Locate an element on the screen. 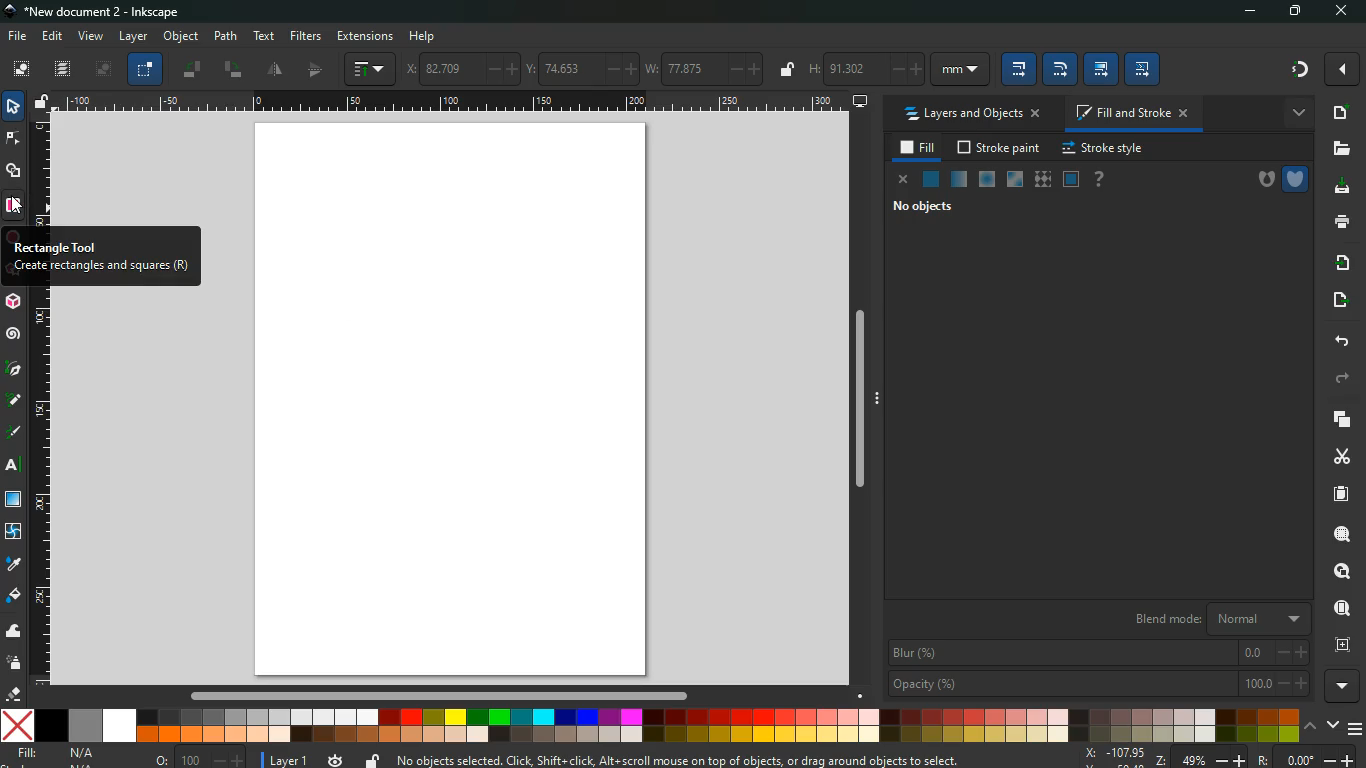 This screenshot has height=768, width=1366. print is located at coordinates (1337, 223).